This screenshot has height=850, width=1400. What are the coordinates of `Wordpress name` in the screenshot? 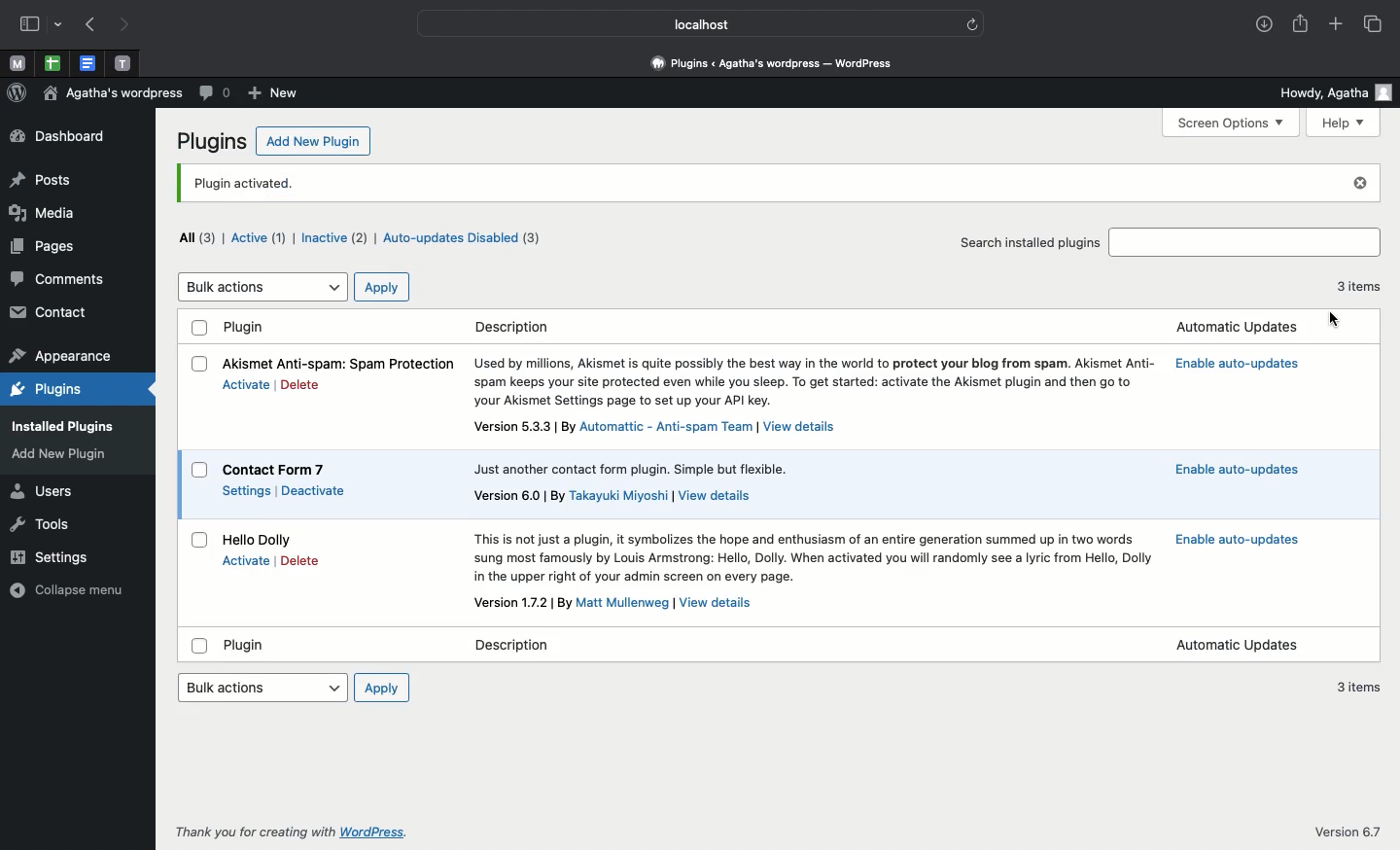 It's located at (115, 96).